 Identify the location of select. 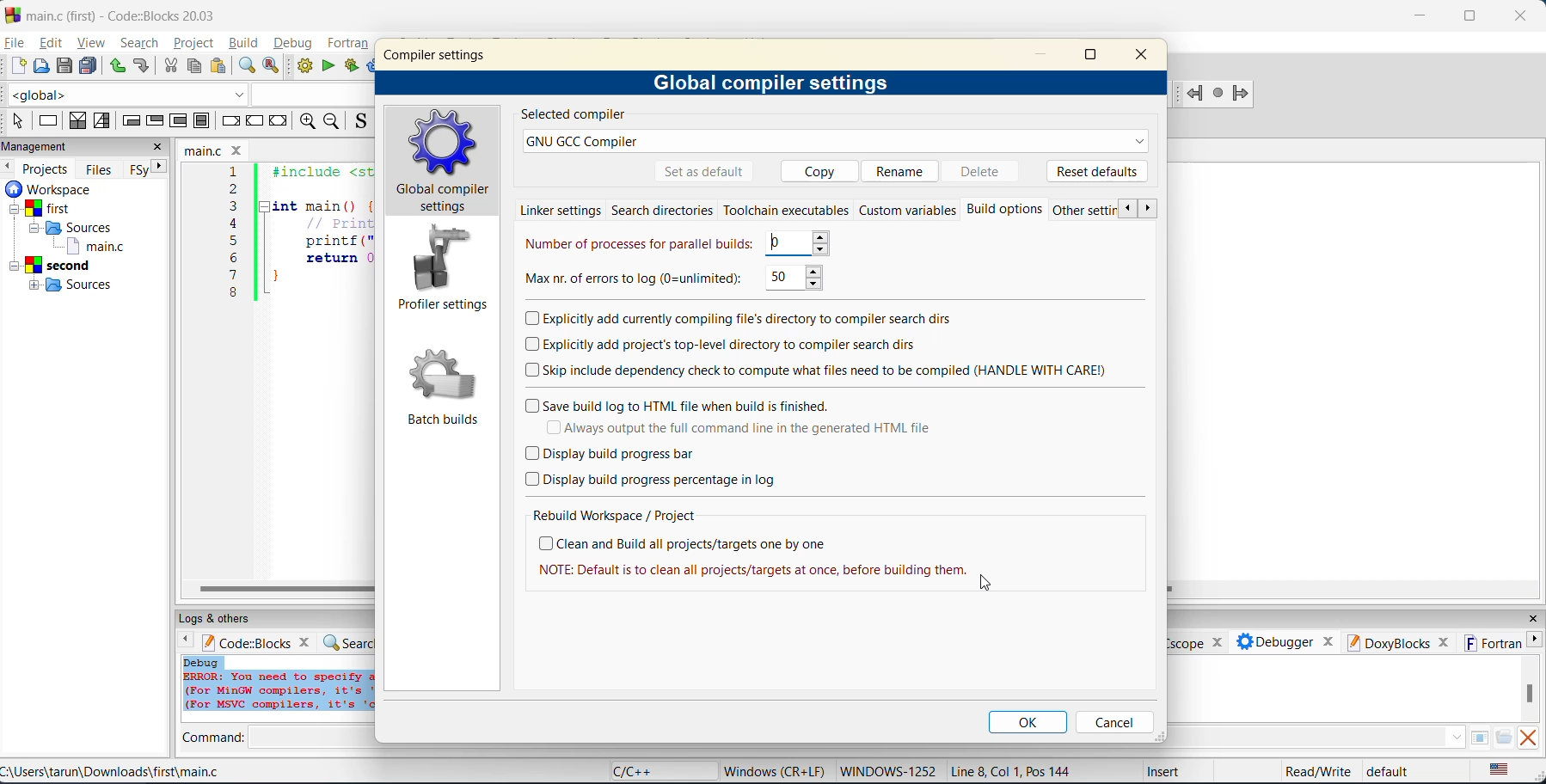
(20, 121).